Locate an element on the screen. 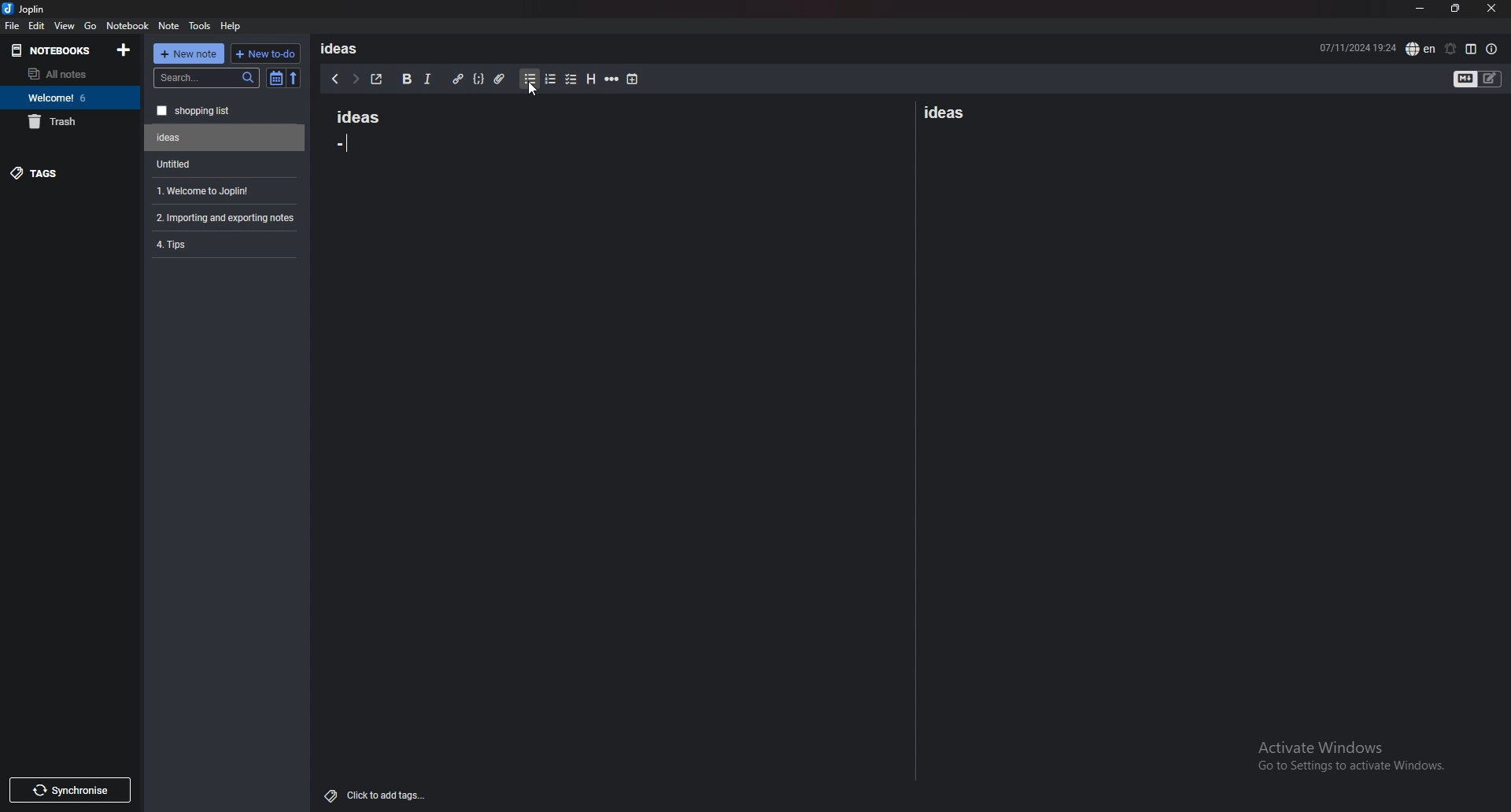  minimize is located at coordinates (1420, 9).